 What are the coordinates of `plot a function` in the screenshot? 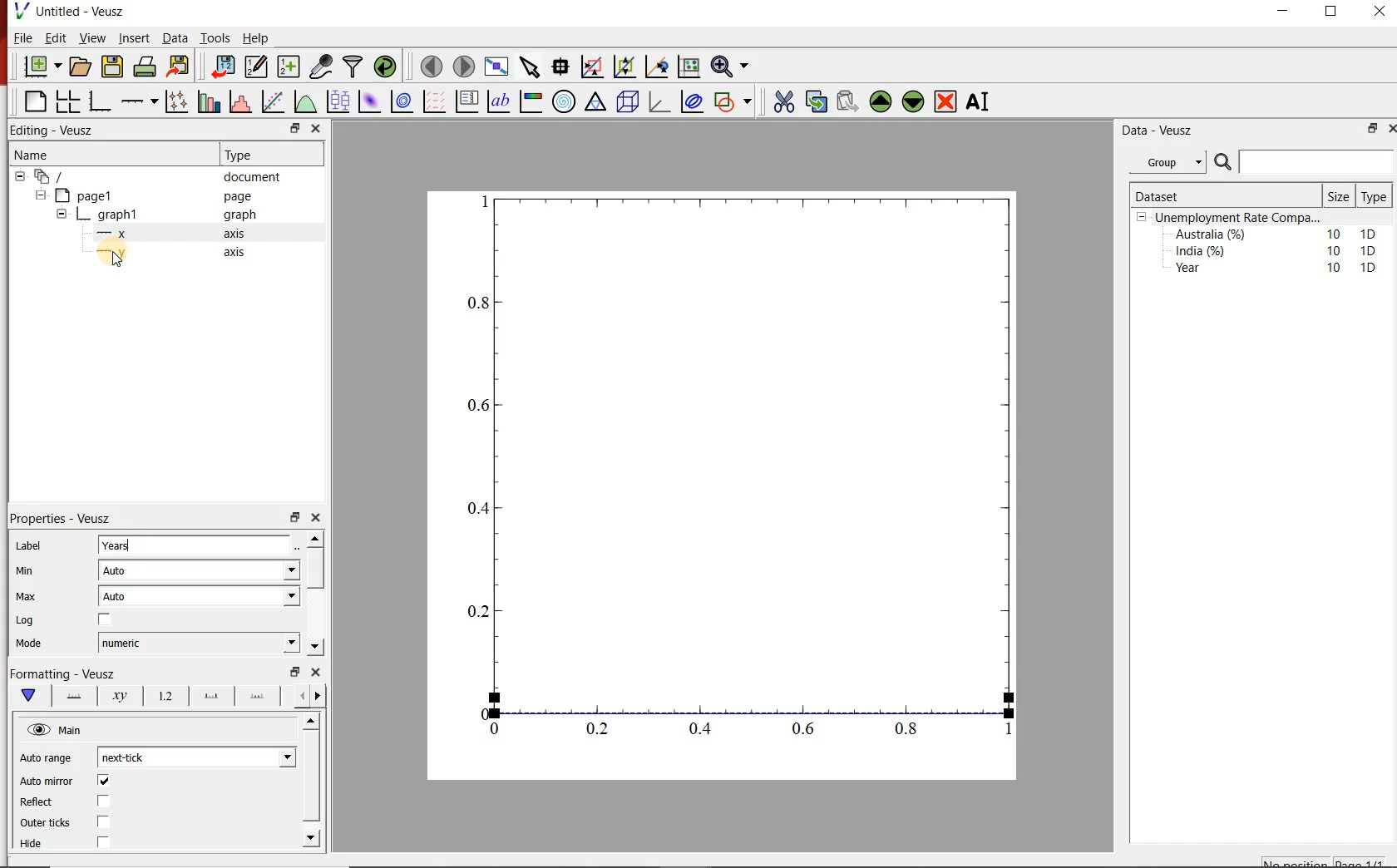 It's located at (305, 101).